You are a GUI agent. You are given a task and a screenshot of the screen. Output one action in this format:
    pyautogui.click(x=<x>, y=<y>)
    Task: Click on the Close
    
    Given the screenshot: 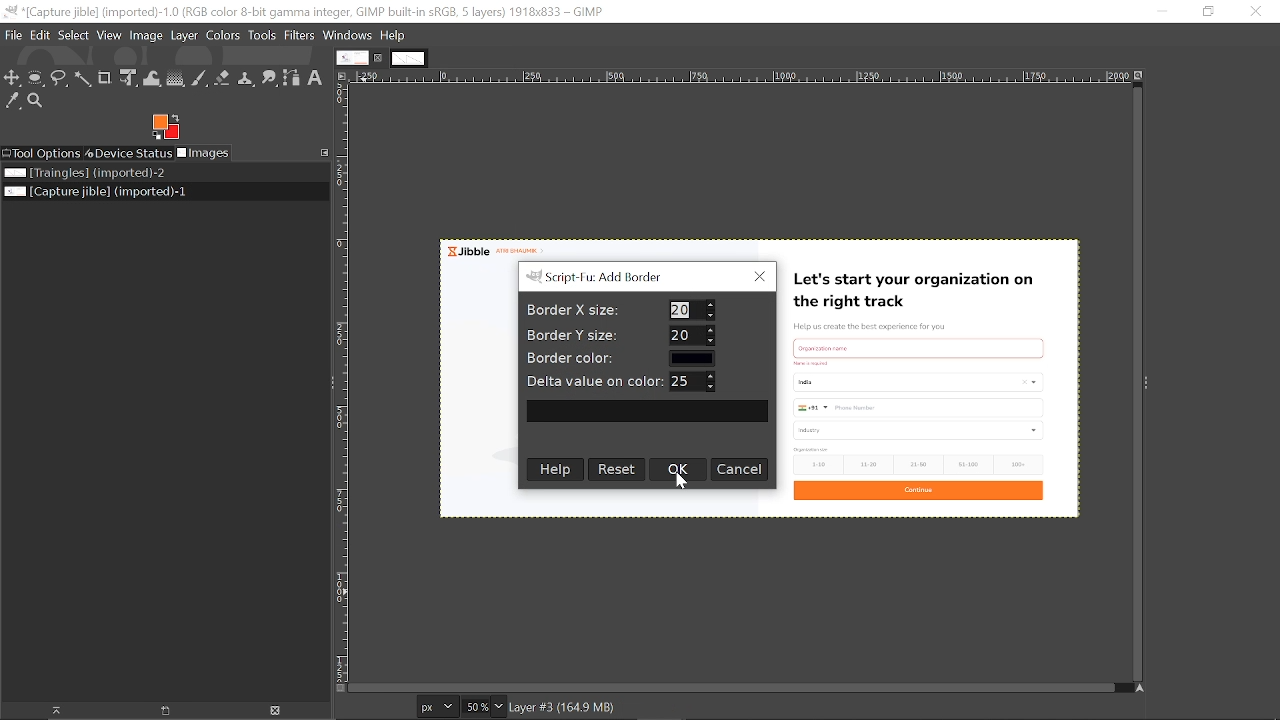 What is the action you would take?
    pyautogui.click(x=1257, y=11)
    